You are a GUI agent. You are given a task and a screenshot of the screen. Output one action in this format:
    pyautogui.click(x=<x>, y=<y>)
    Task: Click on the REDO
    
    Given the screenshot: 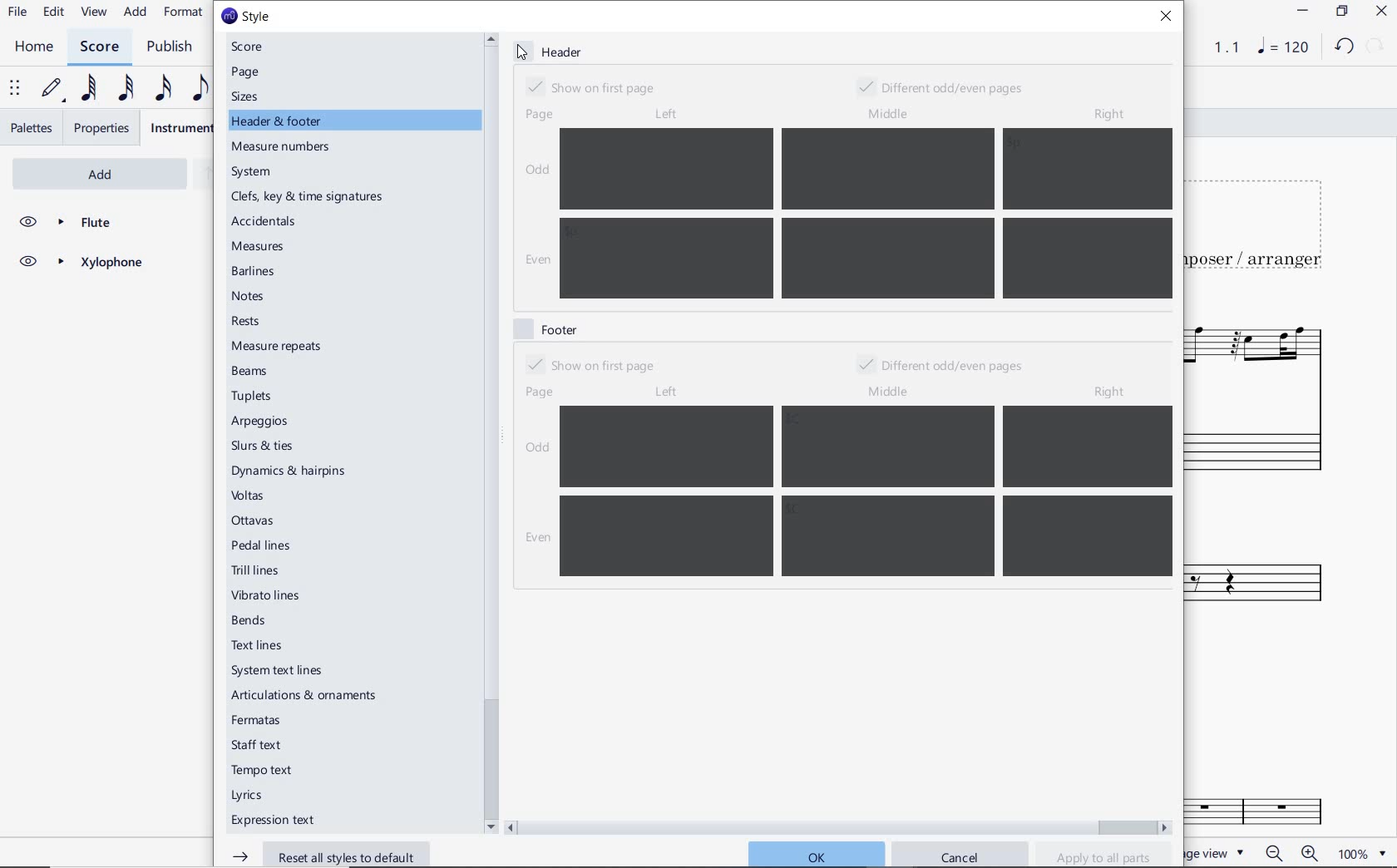 What is the action you would take?
    pyautogui.click(x=1375, y=47)
    